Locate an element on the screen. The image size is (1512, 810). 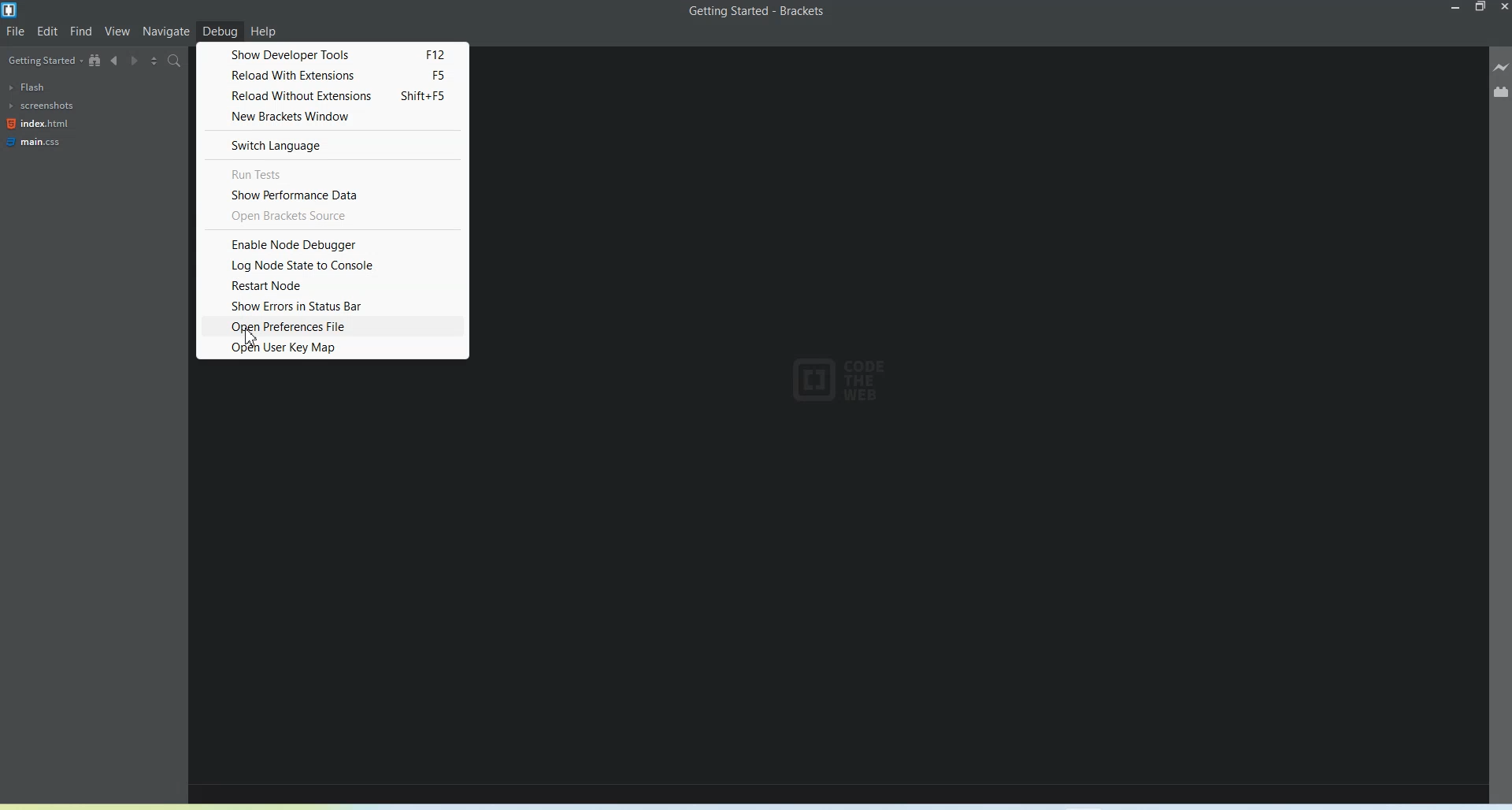
cursor is located at coordinates (249, 337).